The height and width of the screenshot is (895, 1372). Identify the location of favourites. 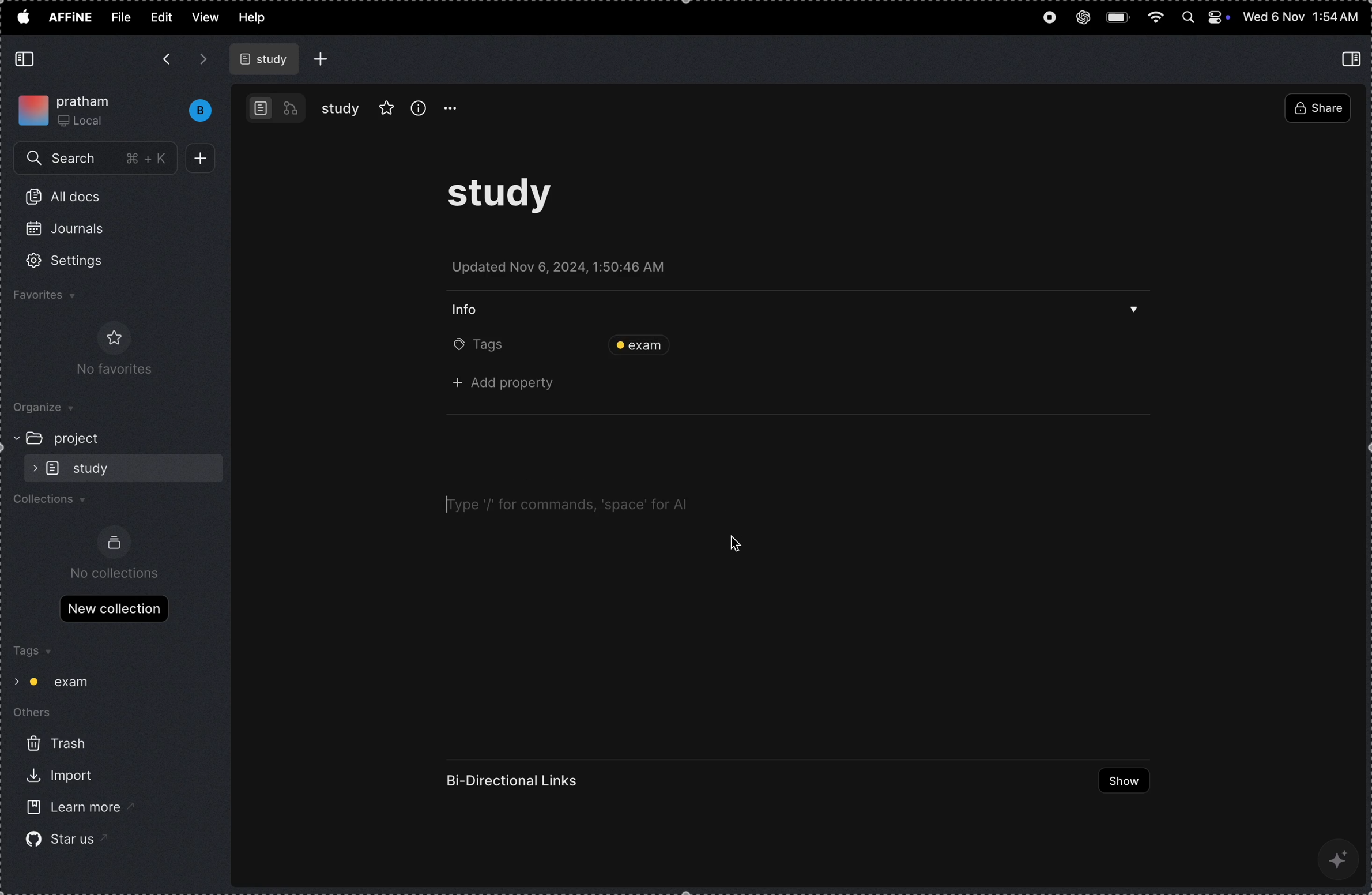
(61, 297).